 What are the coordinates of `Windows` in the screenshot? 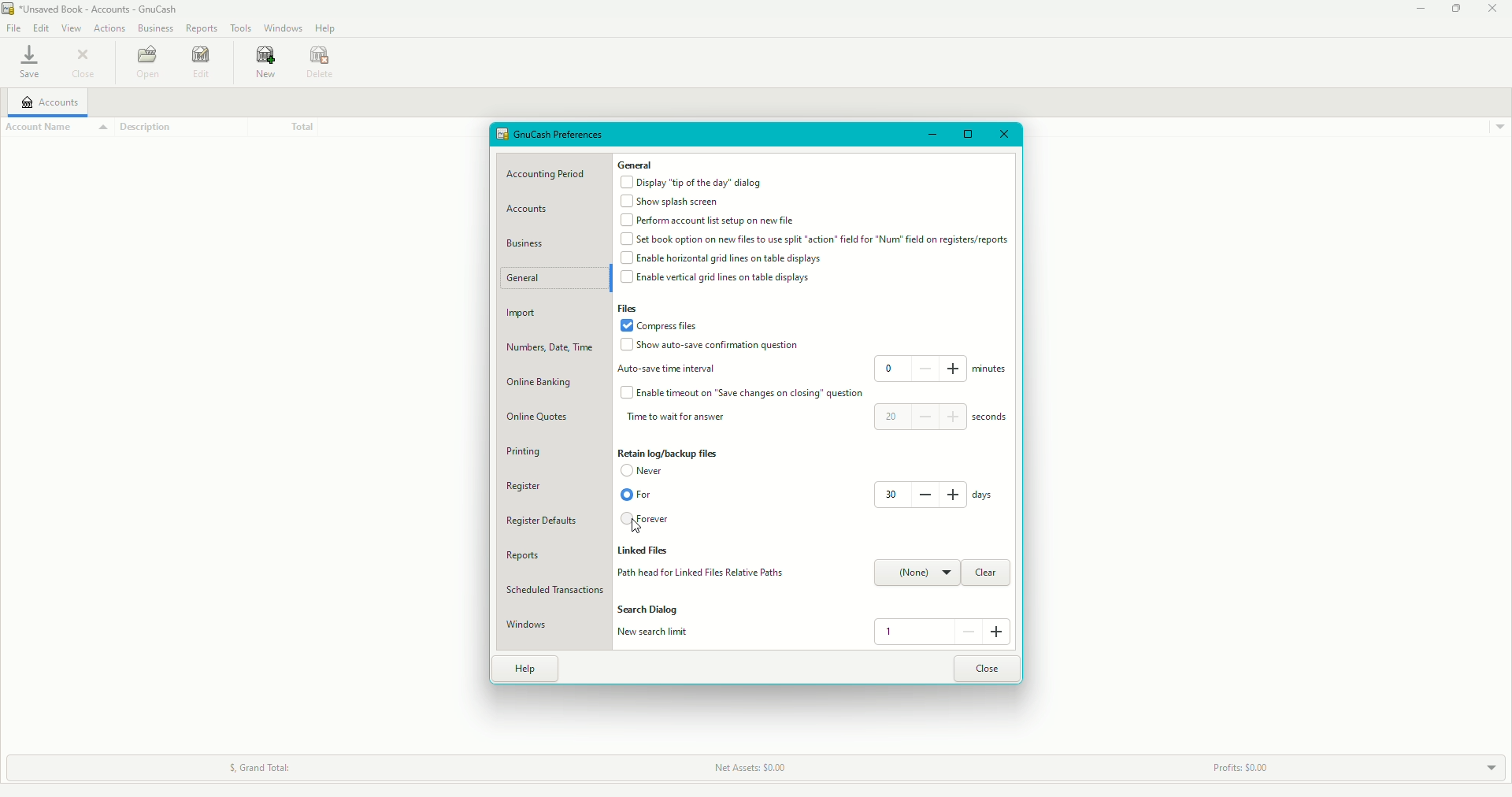 It's located at (527, 625).